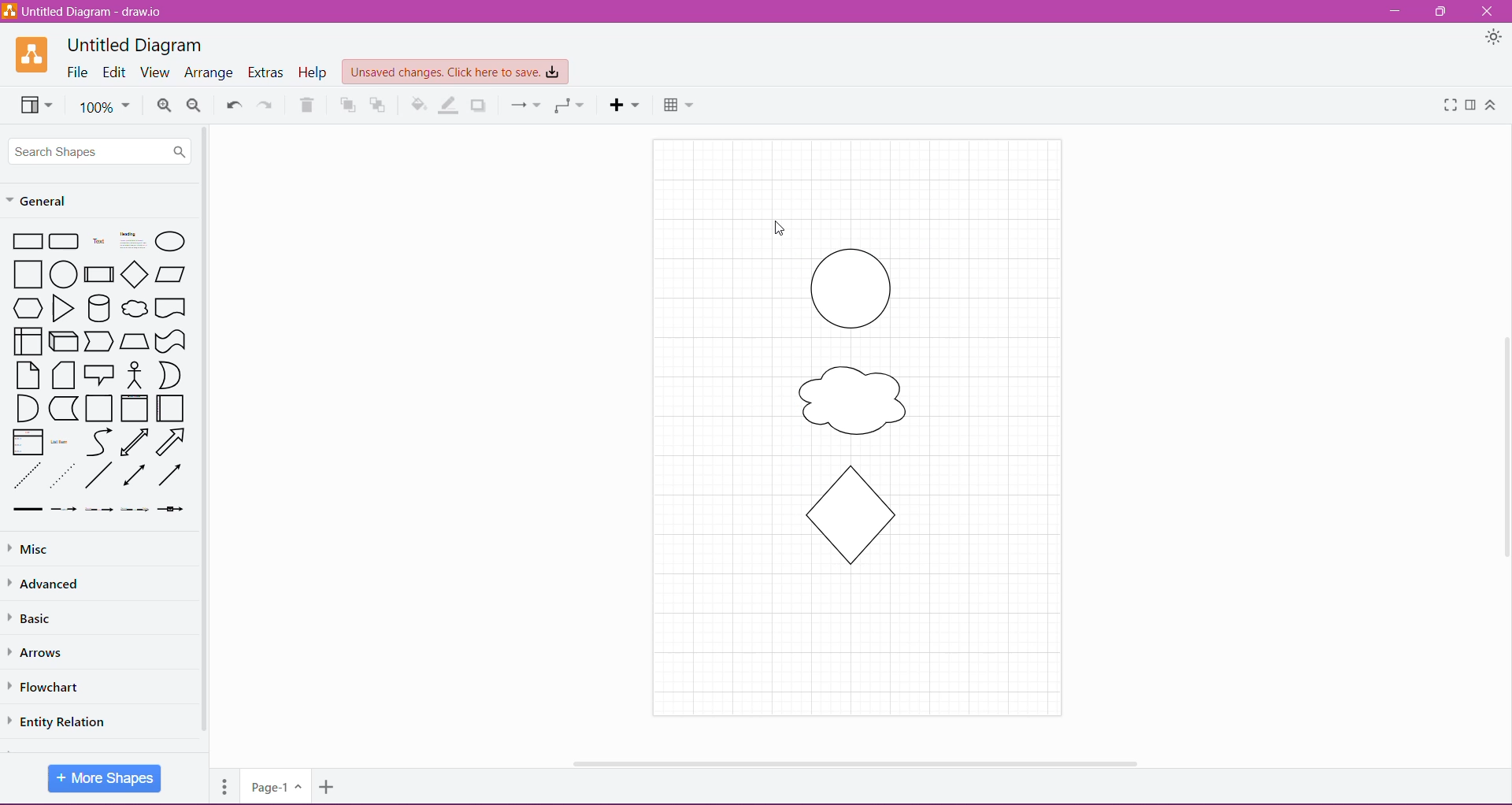 The width and height of the screenshot is (1512, 805). What do you see at coordinates (222, 785) in the screenshot?
I see `Pages` at bounding box center [222, 785].